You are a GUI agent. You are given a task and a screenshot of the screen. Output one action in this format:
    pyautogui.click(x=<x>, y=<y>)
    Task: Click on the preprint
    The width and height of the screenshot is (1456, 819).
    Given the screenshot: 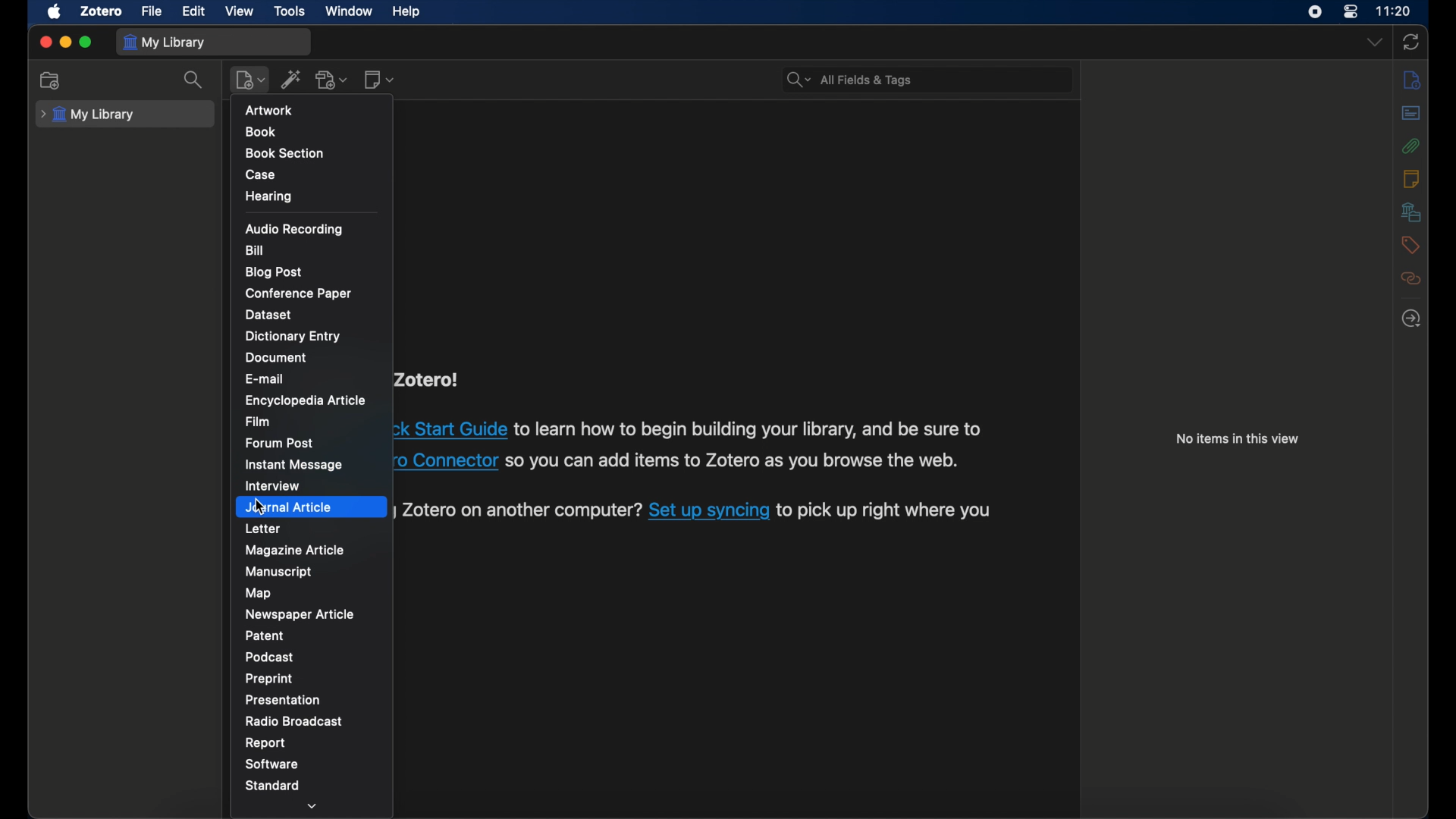 What is the action you would take?
    pyautogui.click(x=269, y=679)
    